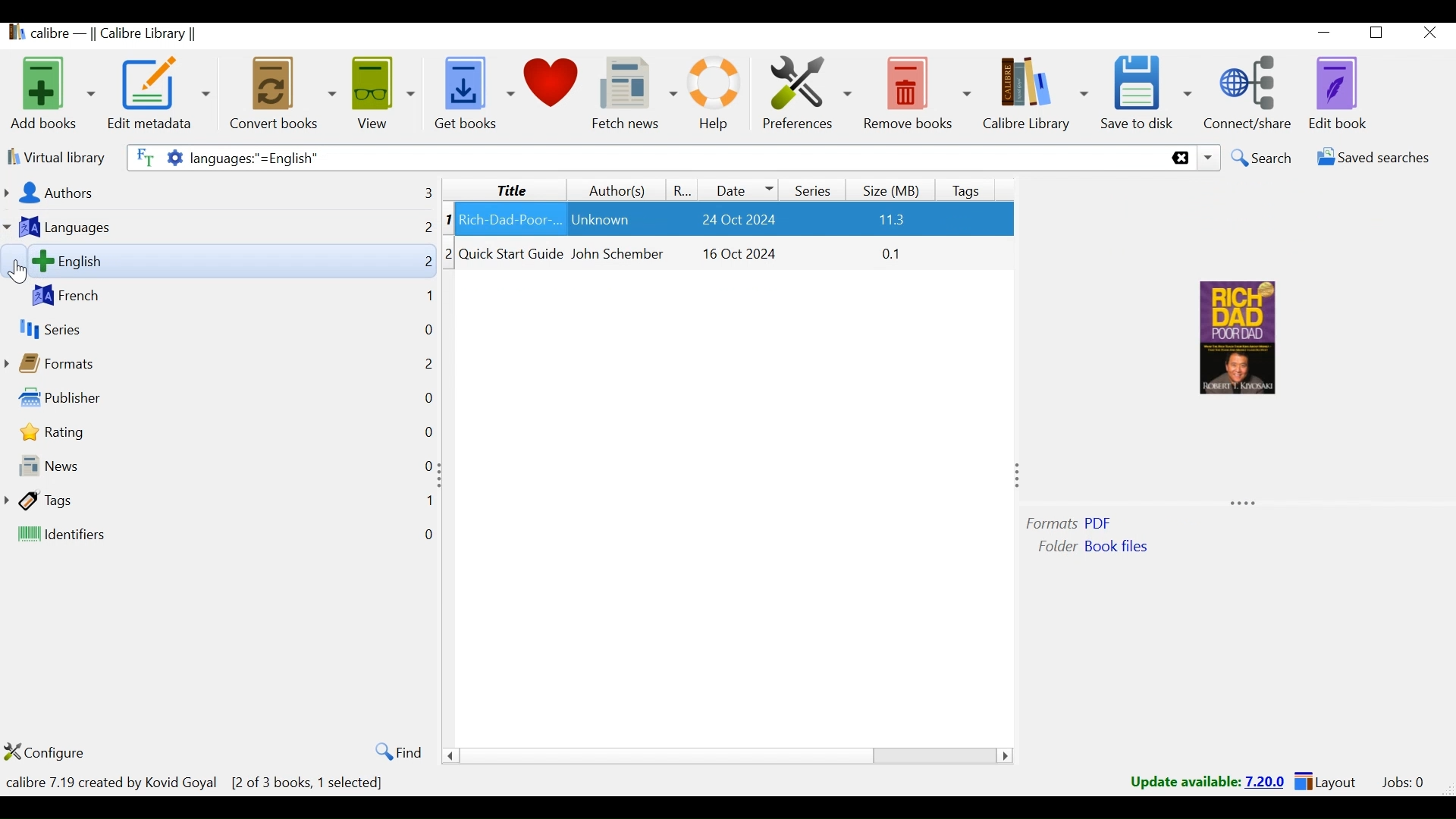  What do you see at coordinates (1266, 780) in the screenshot?
I see `7.20.0` at bounding box center [1266, 780].